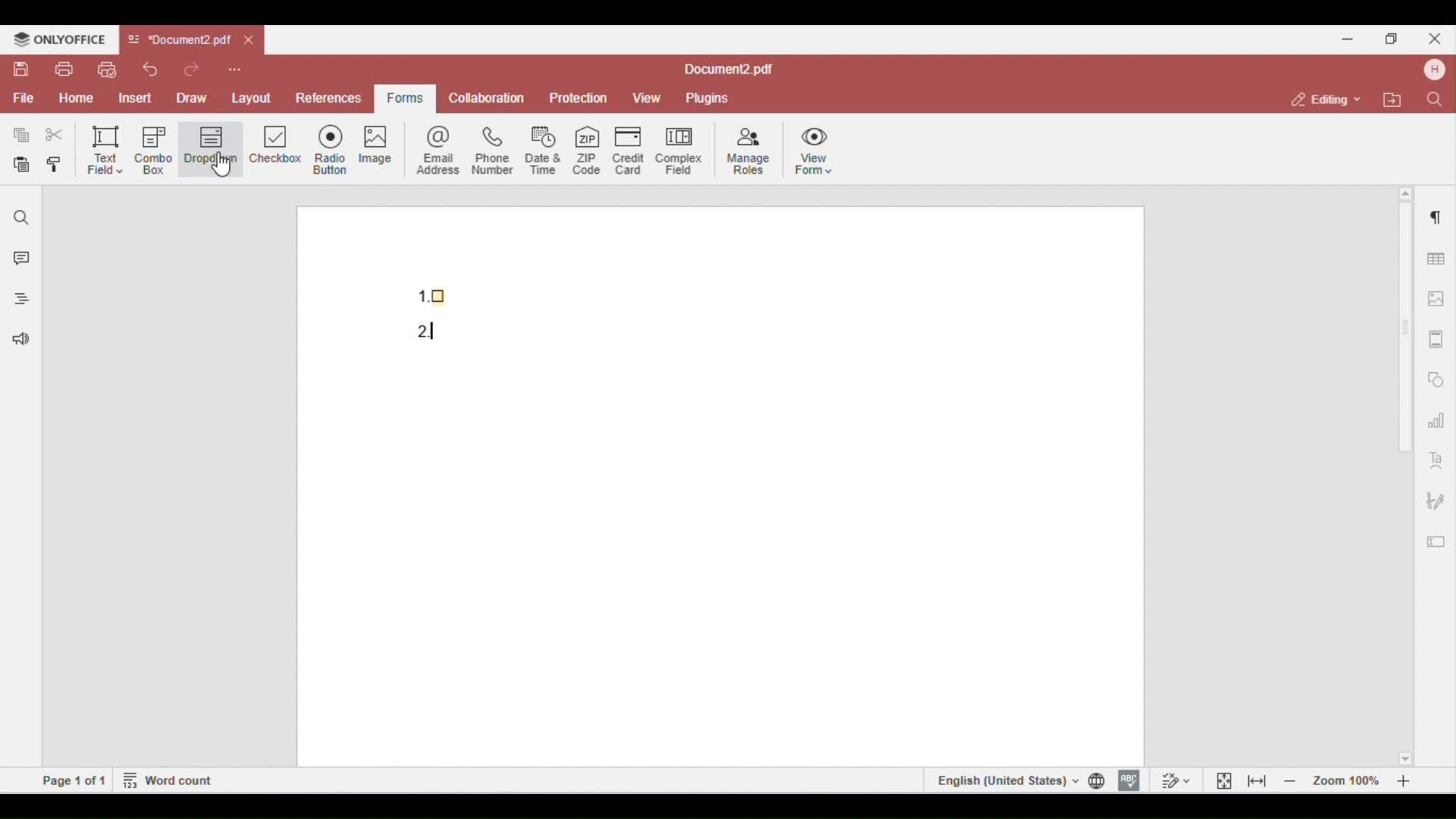 This screenshot has width=1456, height=819. I want to click on editing, so click(1327, 99).